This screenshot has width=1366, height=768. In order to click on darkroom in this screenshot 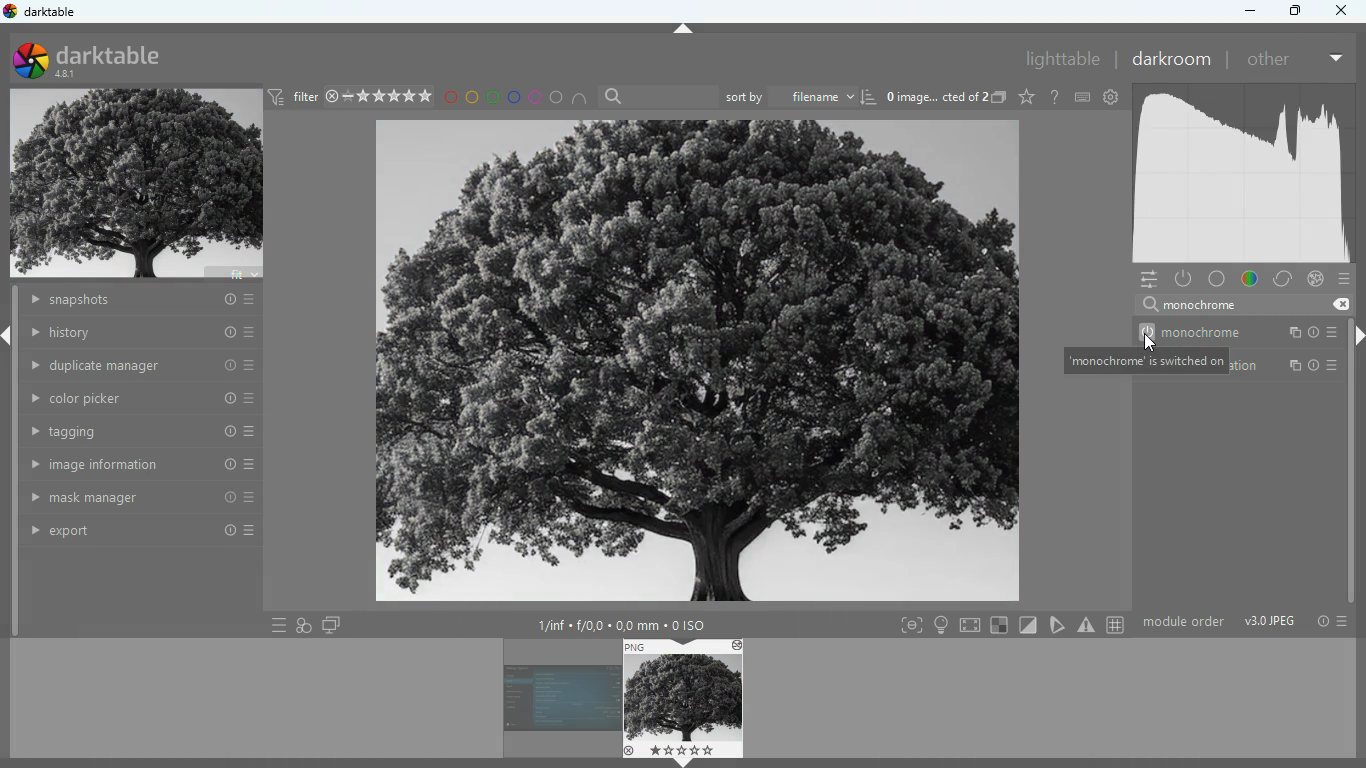, I will do `click(1170, 58)`.